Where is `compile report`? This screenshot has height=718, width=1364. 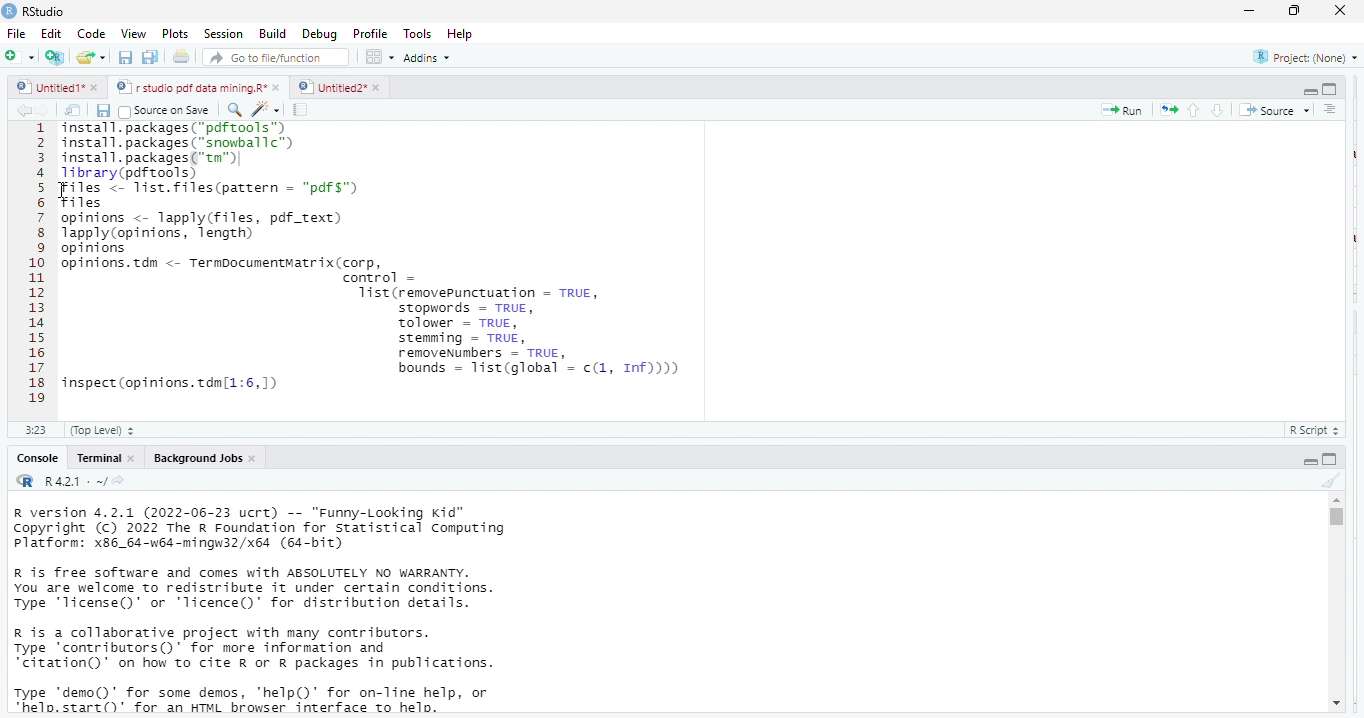 compile report is located at coordinates (303, 110).